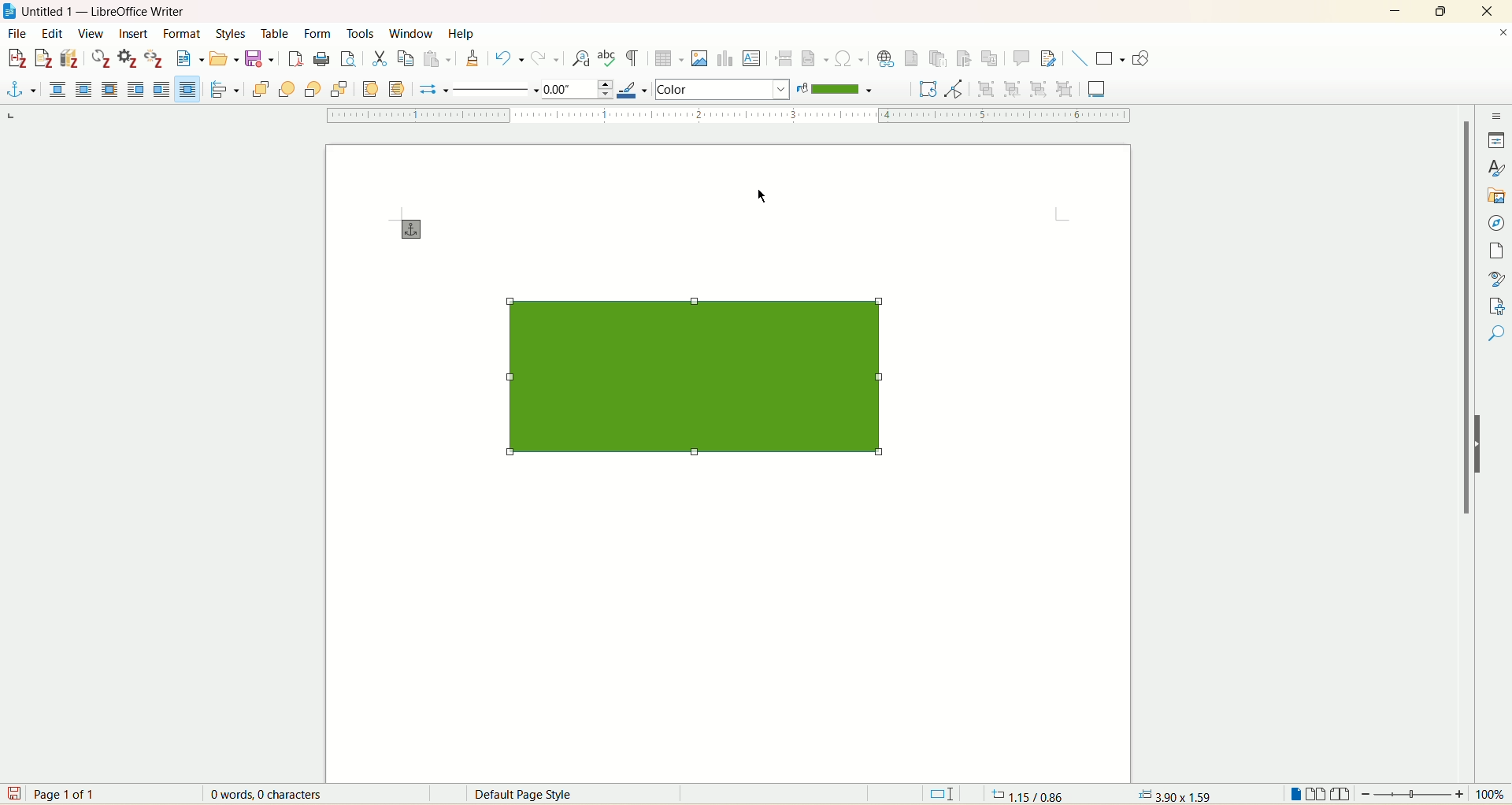 The image size is (1512, 805). What do you see at coordinates (1024, 795) in the screenshot?
I see `coordinates` at bounding box center [1024, 795].